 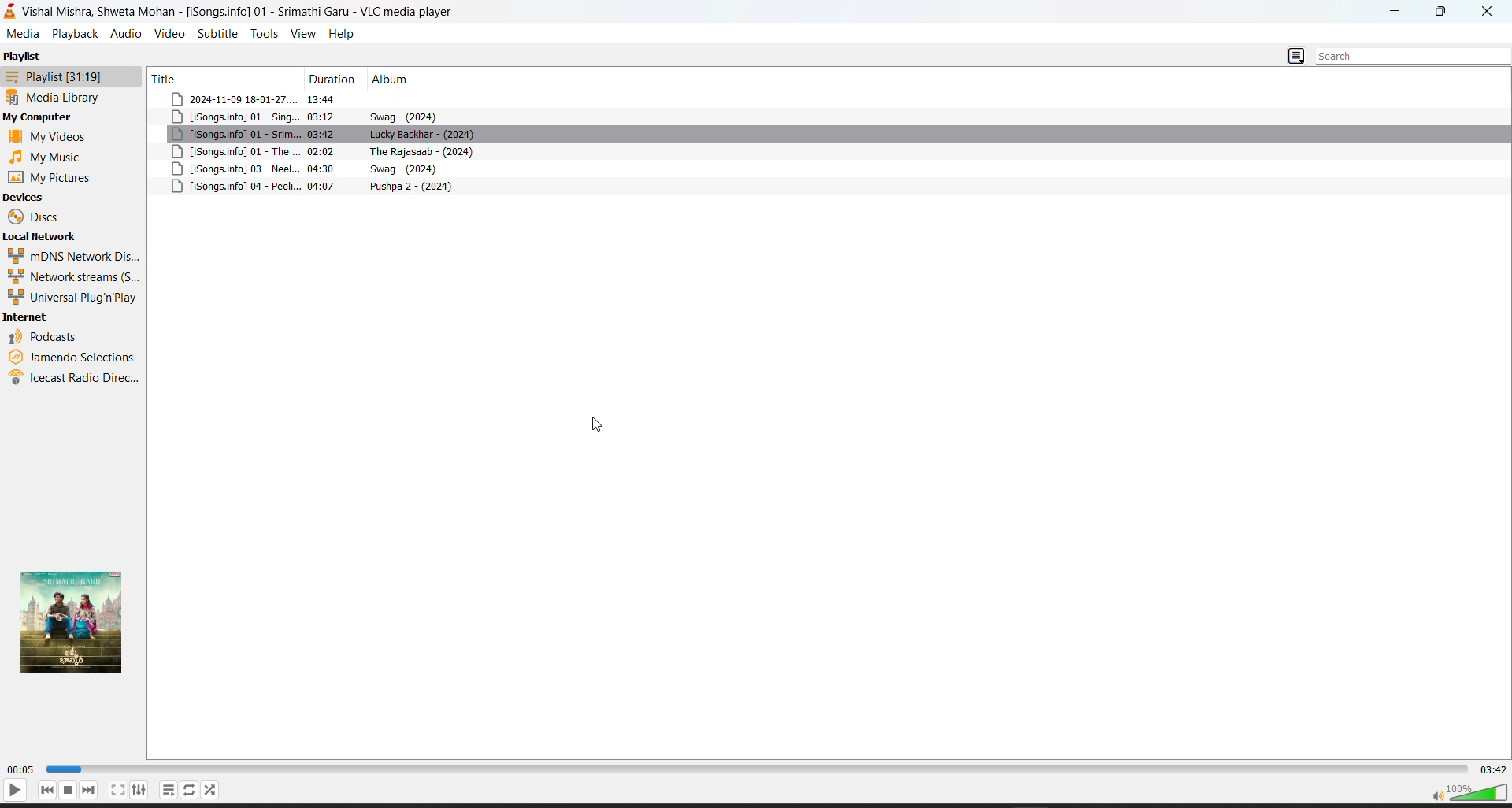 What do you see at coordinates (169, 33) in the screenshot?
I see `video` at bounding box center [169, 33].